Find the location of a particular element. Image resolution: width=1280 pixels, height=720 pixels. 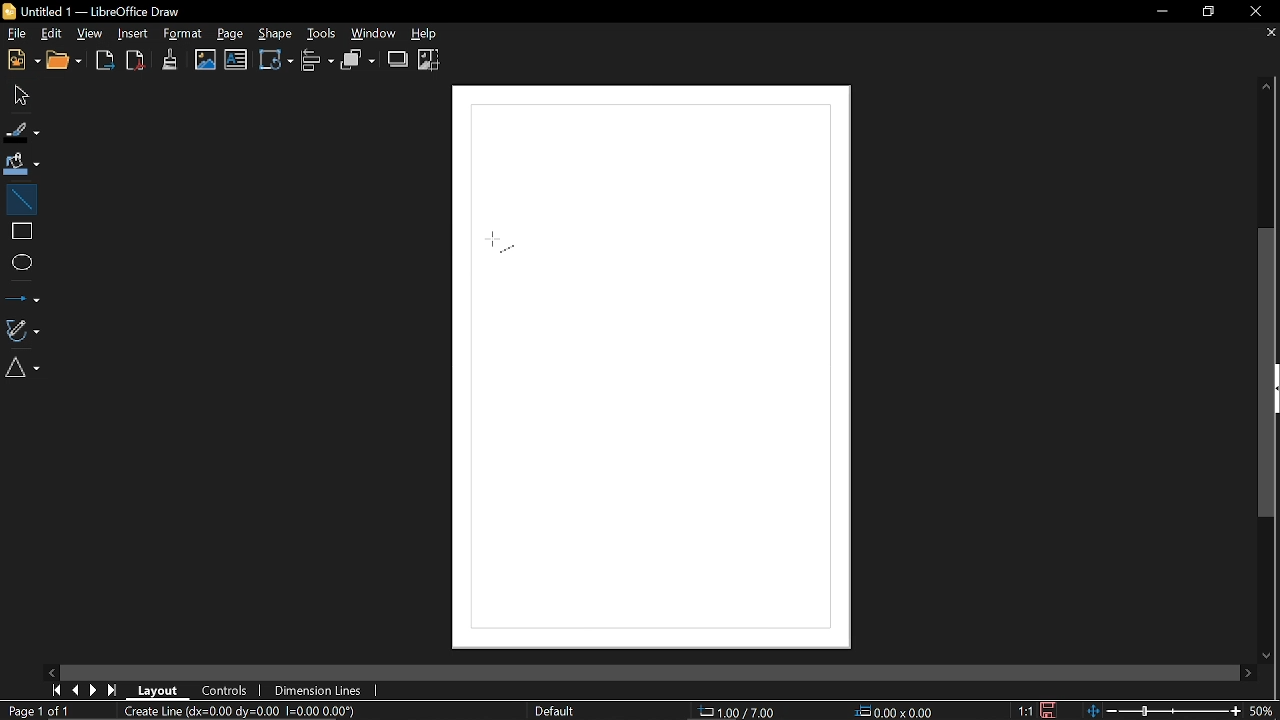

Last Page is located at coordinates (113, 690).